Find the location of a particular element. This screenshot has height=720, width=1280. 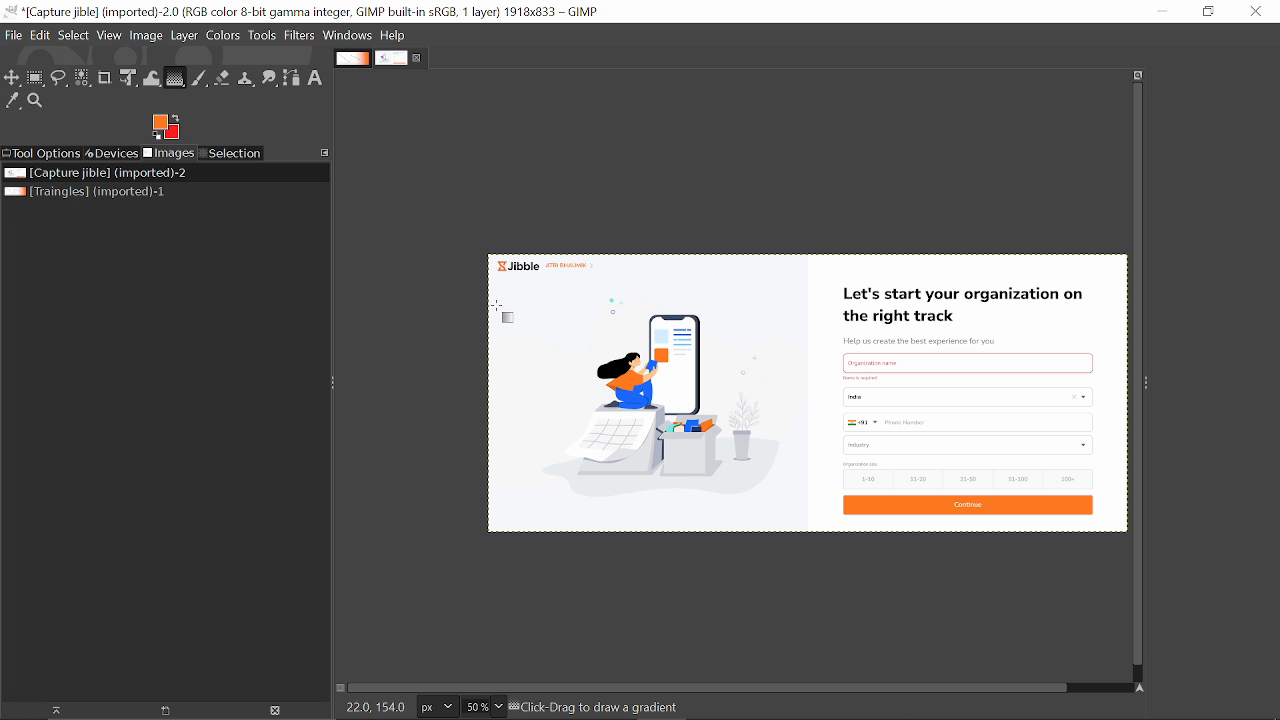

Minimize is located at coordinates (1164, 12).